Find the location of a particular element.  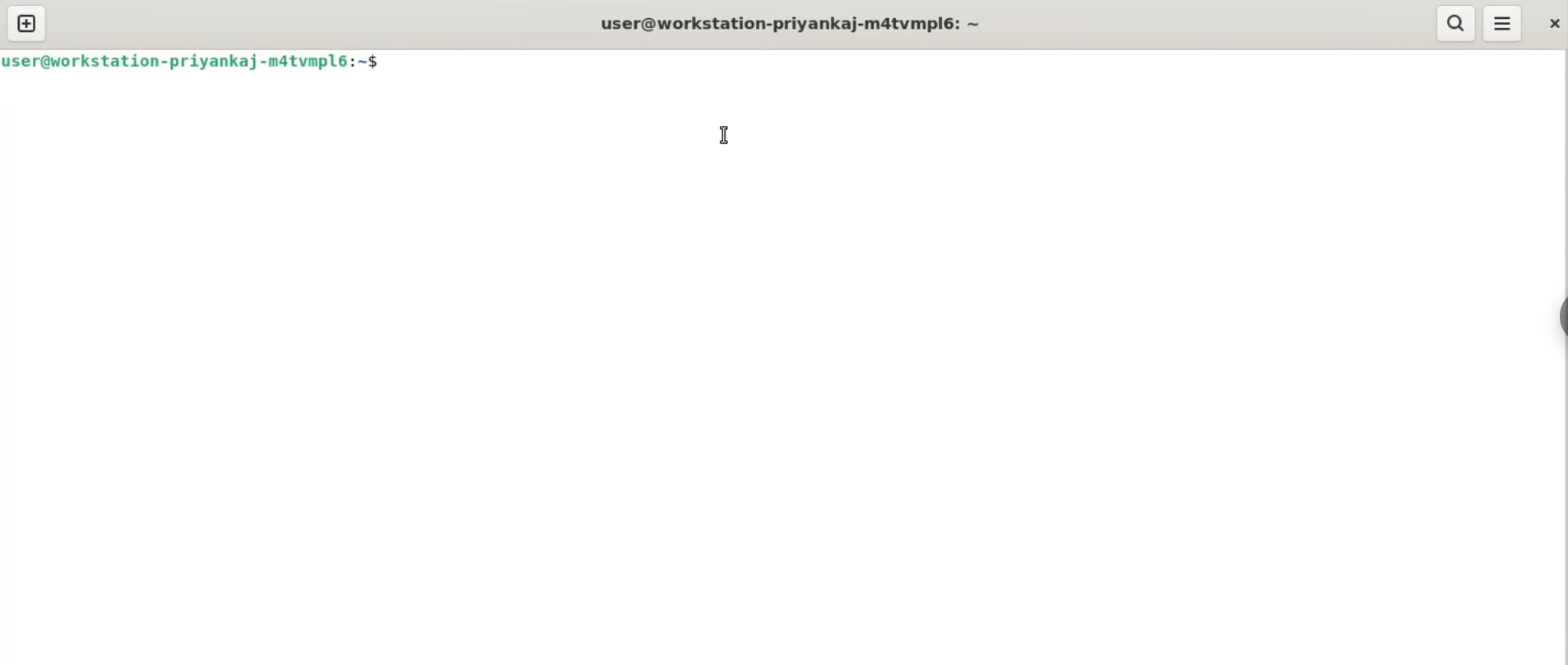

search is located at coordinates (1454, 23).